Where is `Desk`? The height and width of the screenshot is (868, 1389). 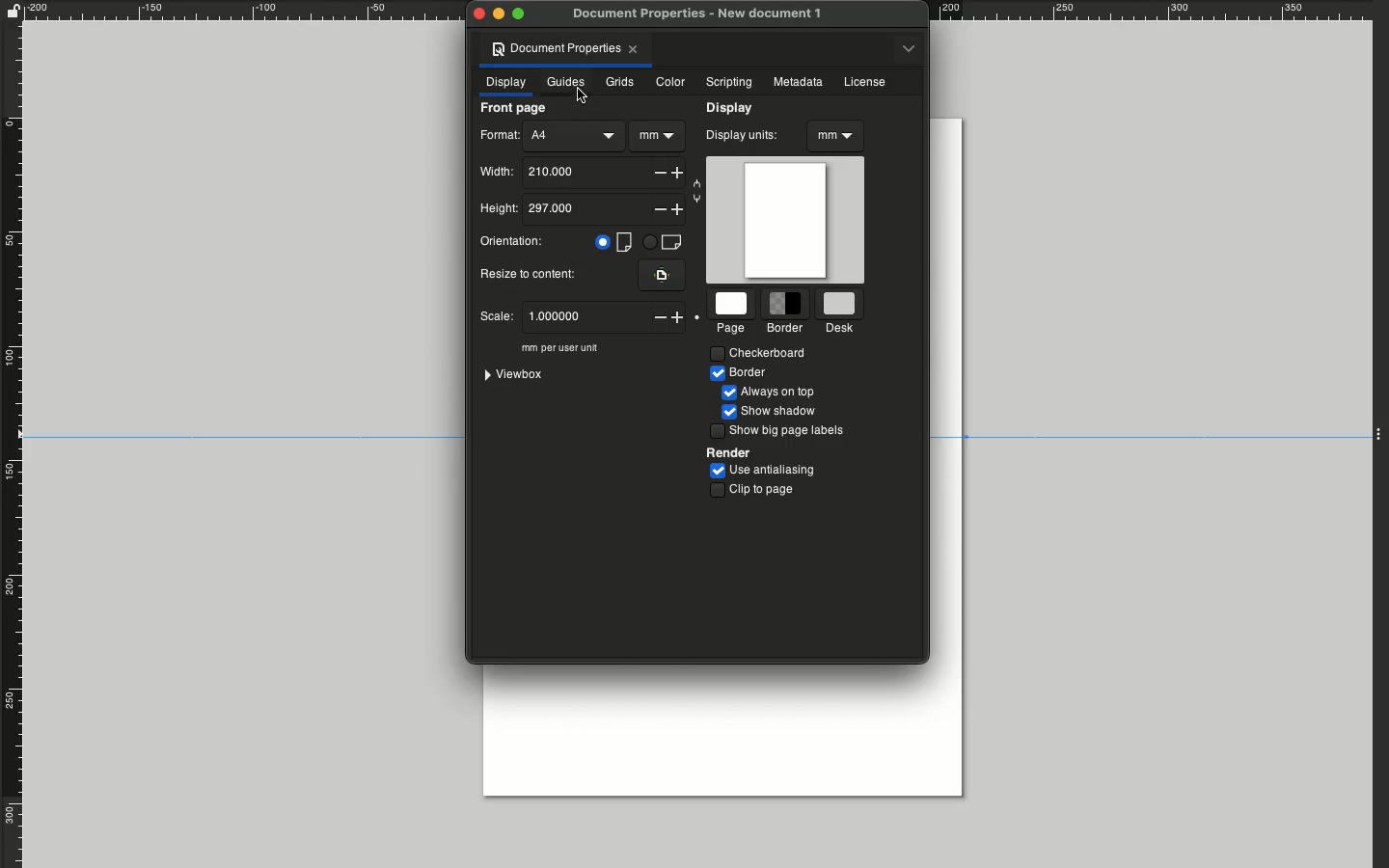
Desk is located at coordinates (838, 314).